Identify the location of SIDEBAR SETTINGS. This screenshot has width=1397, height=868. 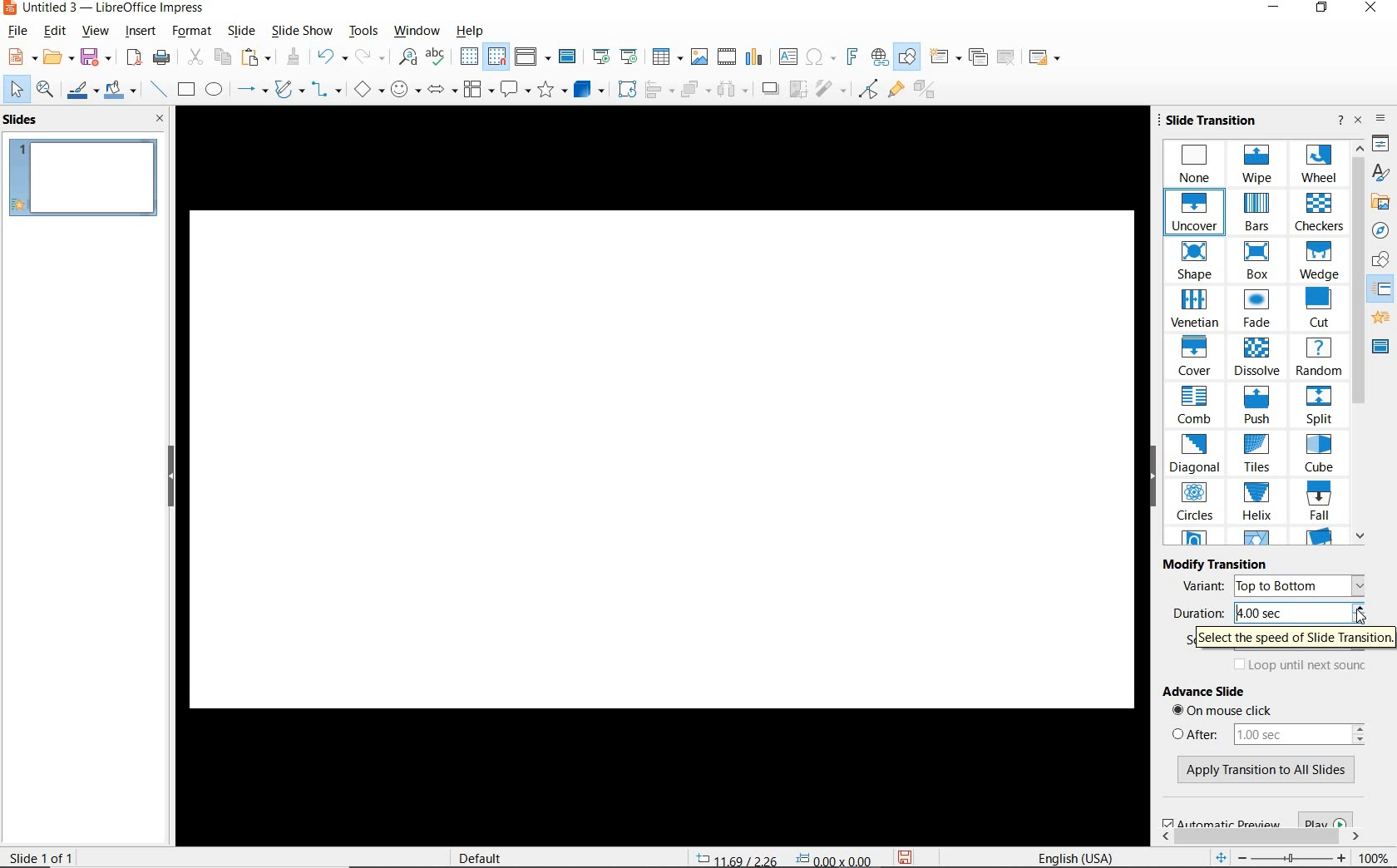
(1380, 119).